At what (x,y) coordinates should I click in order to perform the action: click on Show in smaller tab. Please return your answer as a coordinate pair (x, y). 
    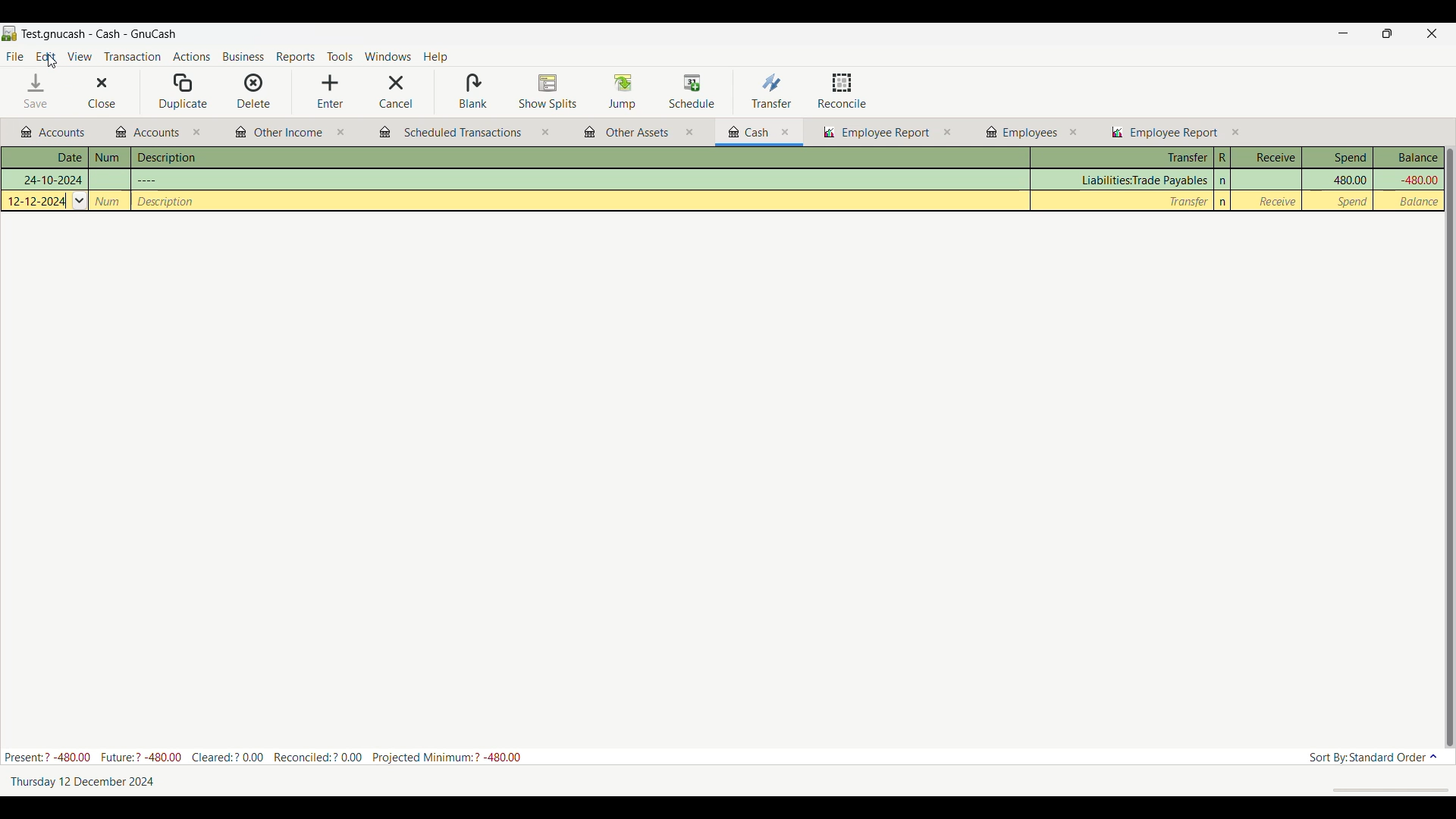
    Looking at the image, I should click on (1387, 33).